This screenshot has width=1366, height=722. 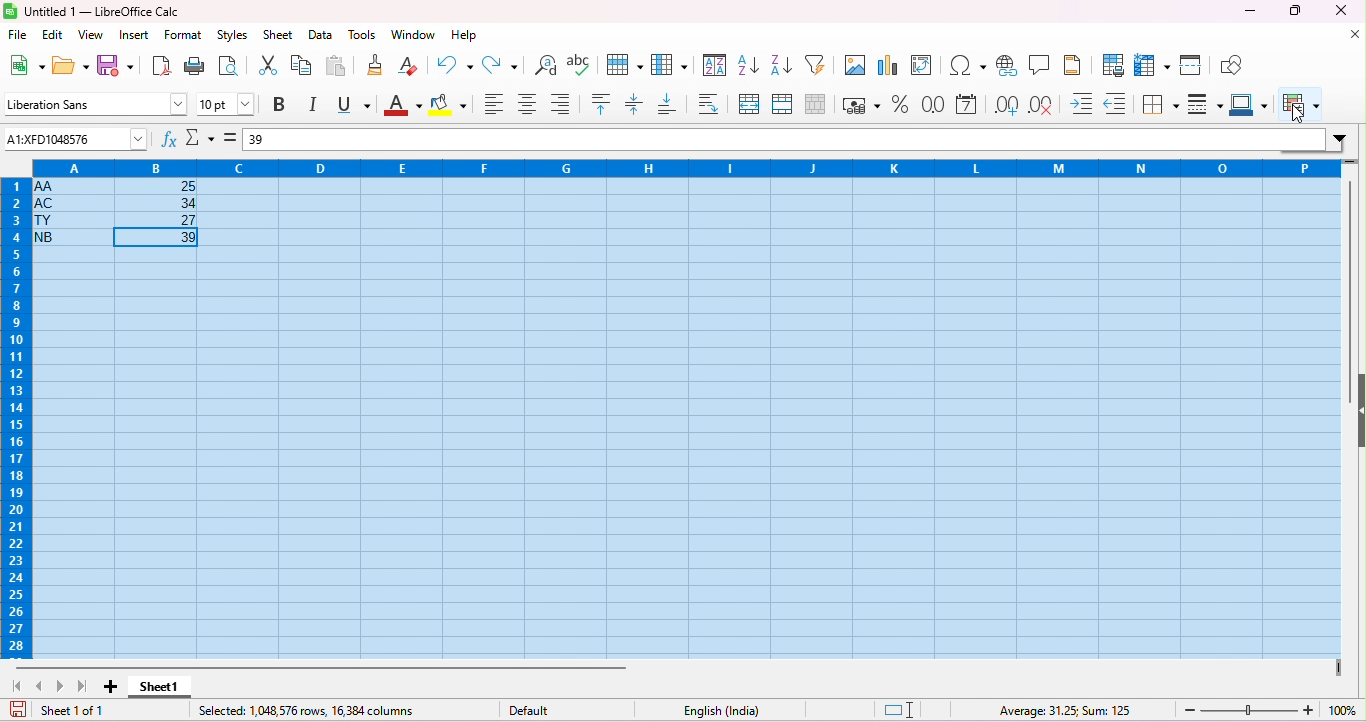 What do you see at coordinates (22, 686) in the screenshot?
I see `first sheet` at bounding box center [22, 686].